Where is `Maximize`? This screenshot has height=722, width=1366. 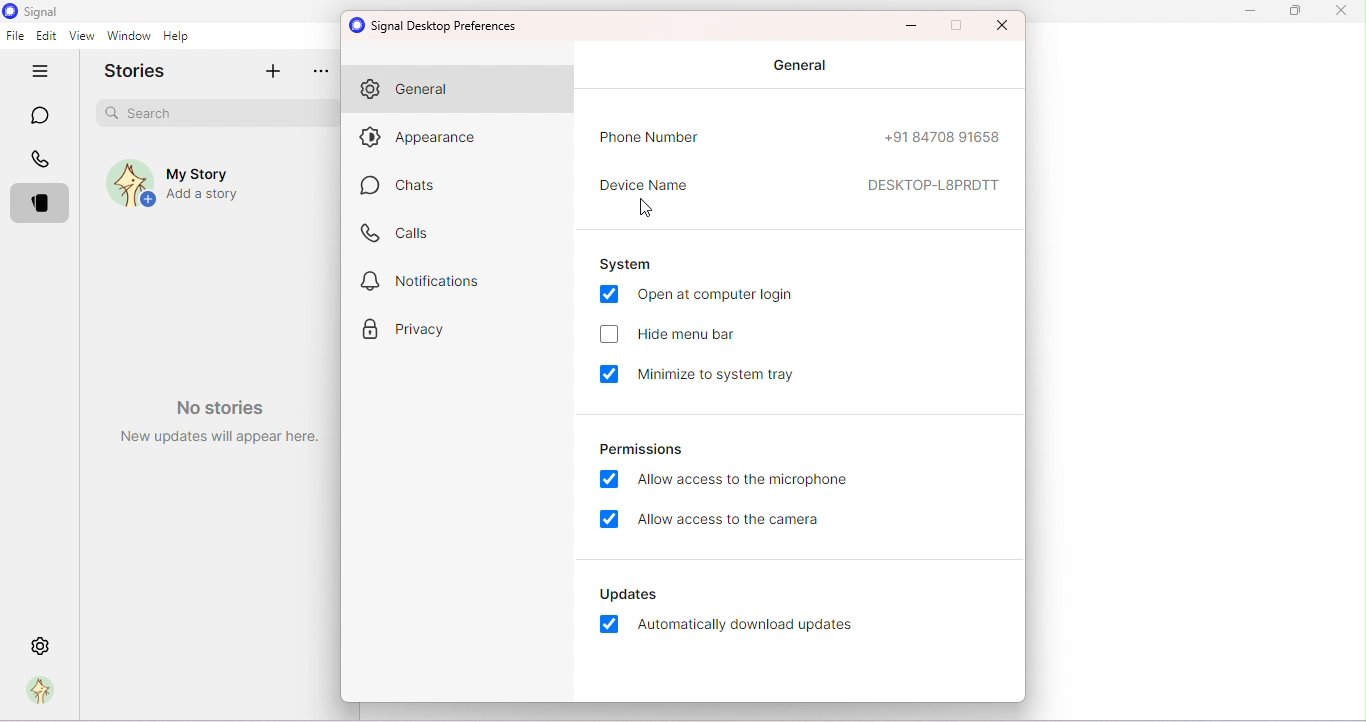
Maximize is located at coordinates (1003, 26).